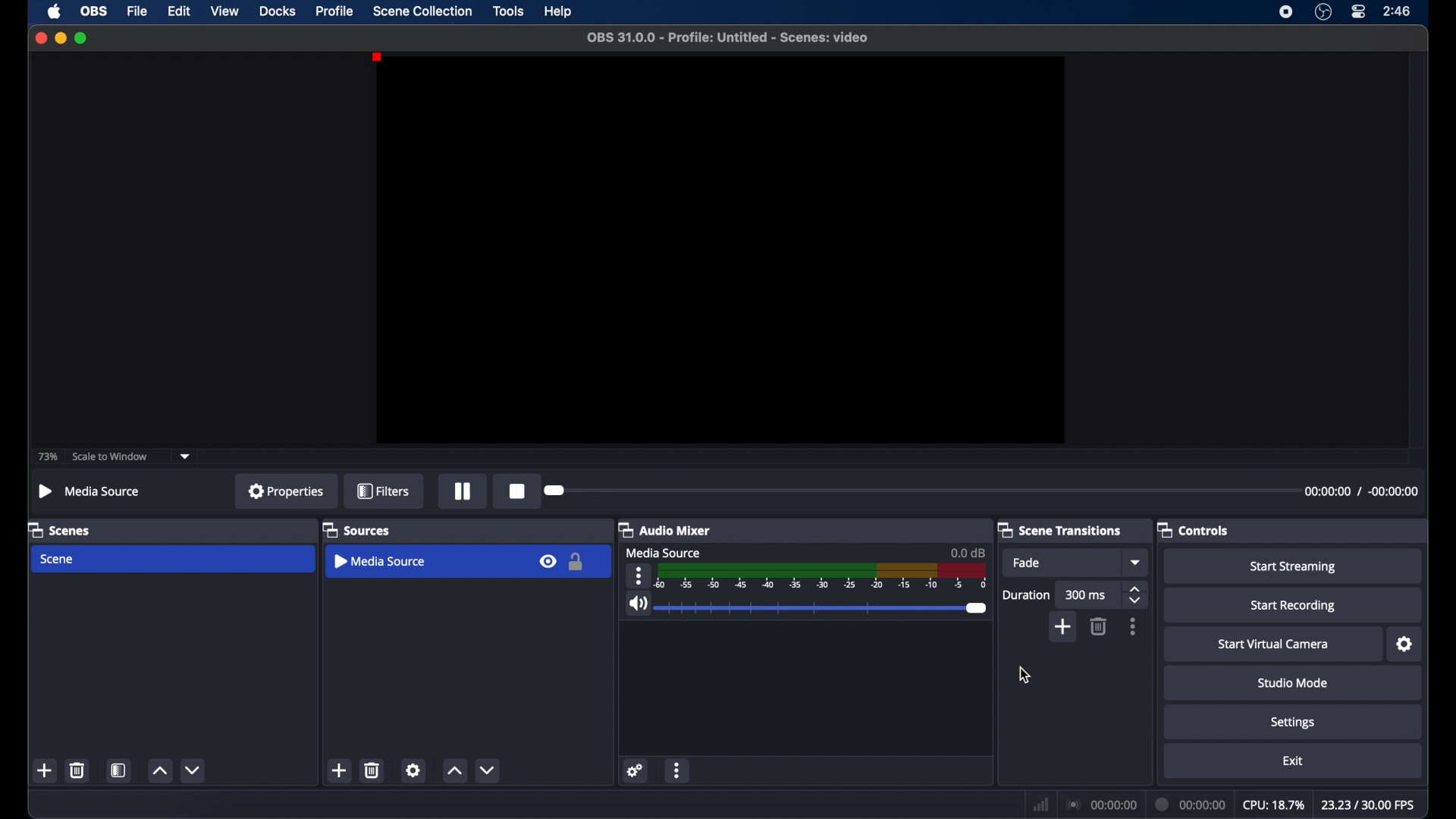  Describe the element at coordinates (1040, 805) in the screenshot. I see `network` at that location.